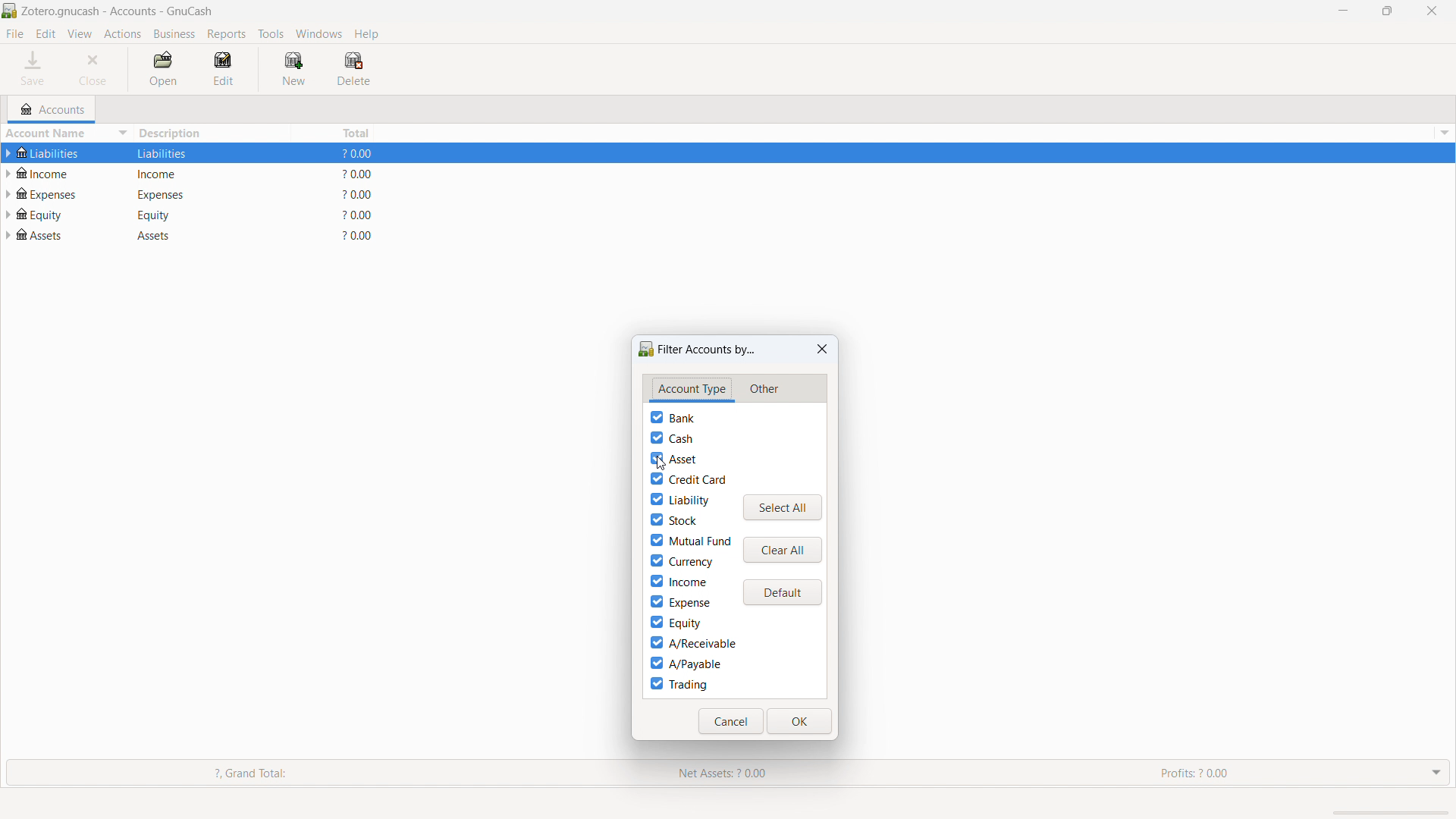 The width and height of the screenshot is (1456, 819). Describe the element at coordinates (366, 33) in the screenshot. I see `help` at that location.